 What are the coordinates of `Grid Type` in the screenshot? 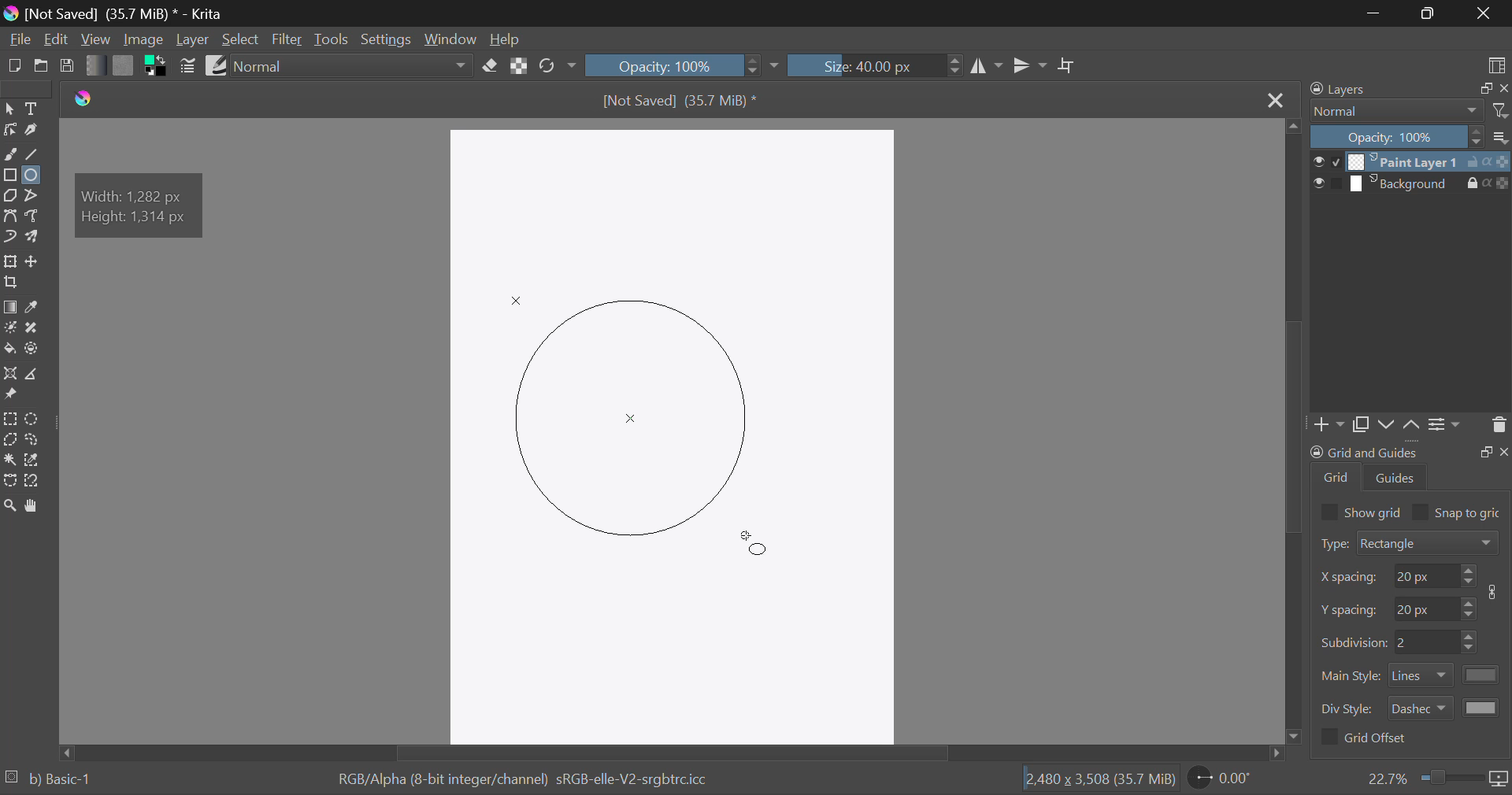 It's located at (1411, 545).